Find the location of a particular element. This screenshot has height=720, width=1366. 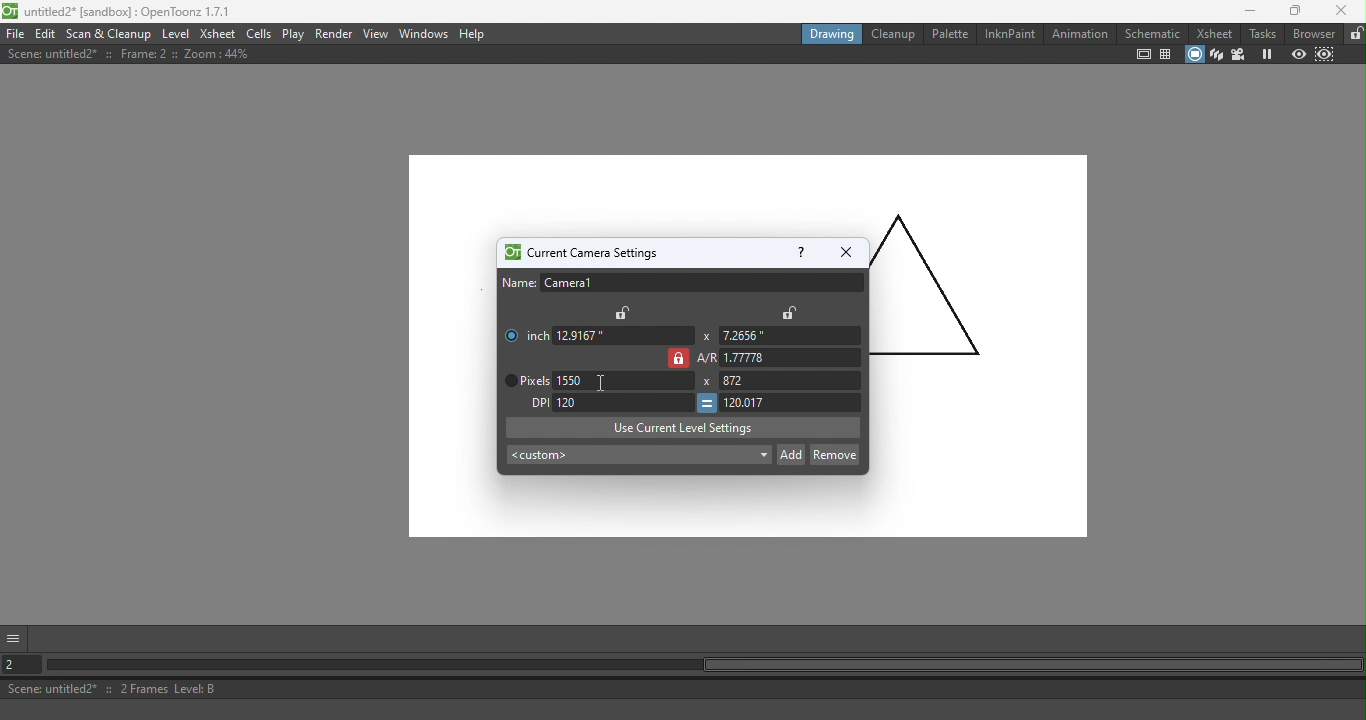

Scan & Cleanup is located at coordinates (109, 33).